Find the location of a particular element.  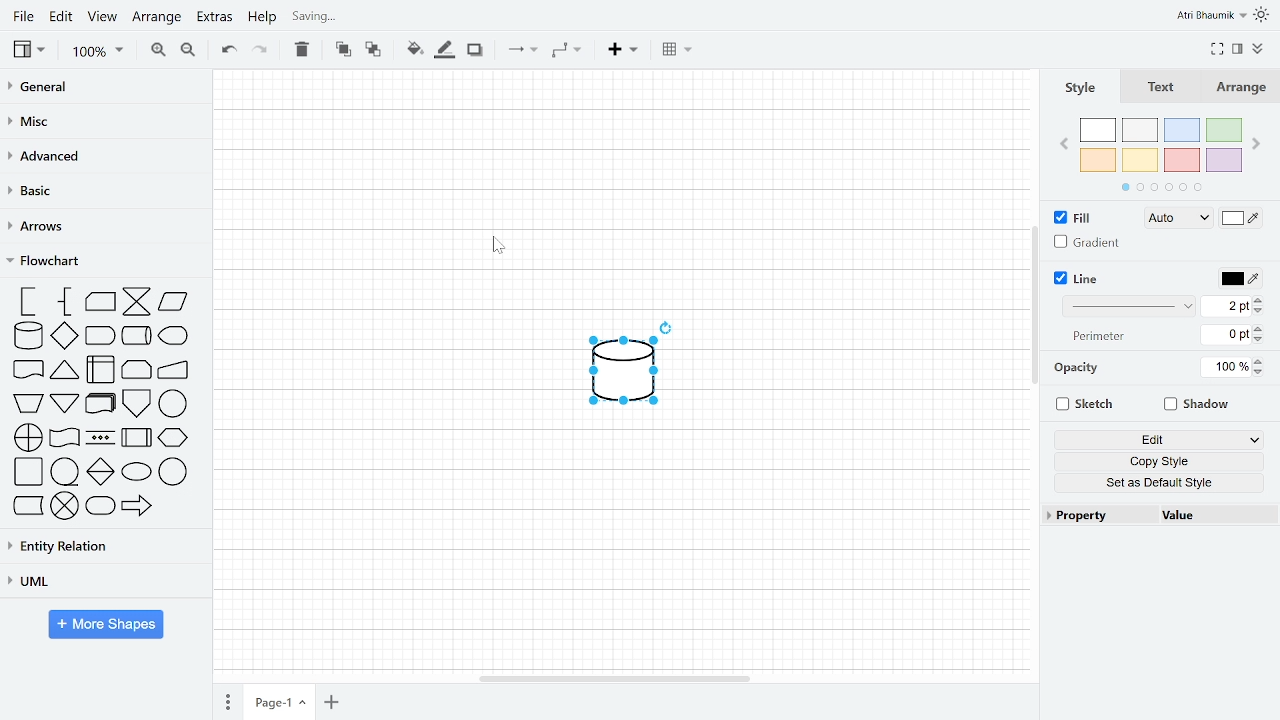

Entity relation is located at coordinates (101, 545).